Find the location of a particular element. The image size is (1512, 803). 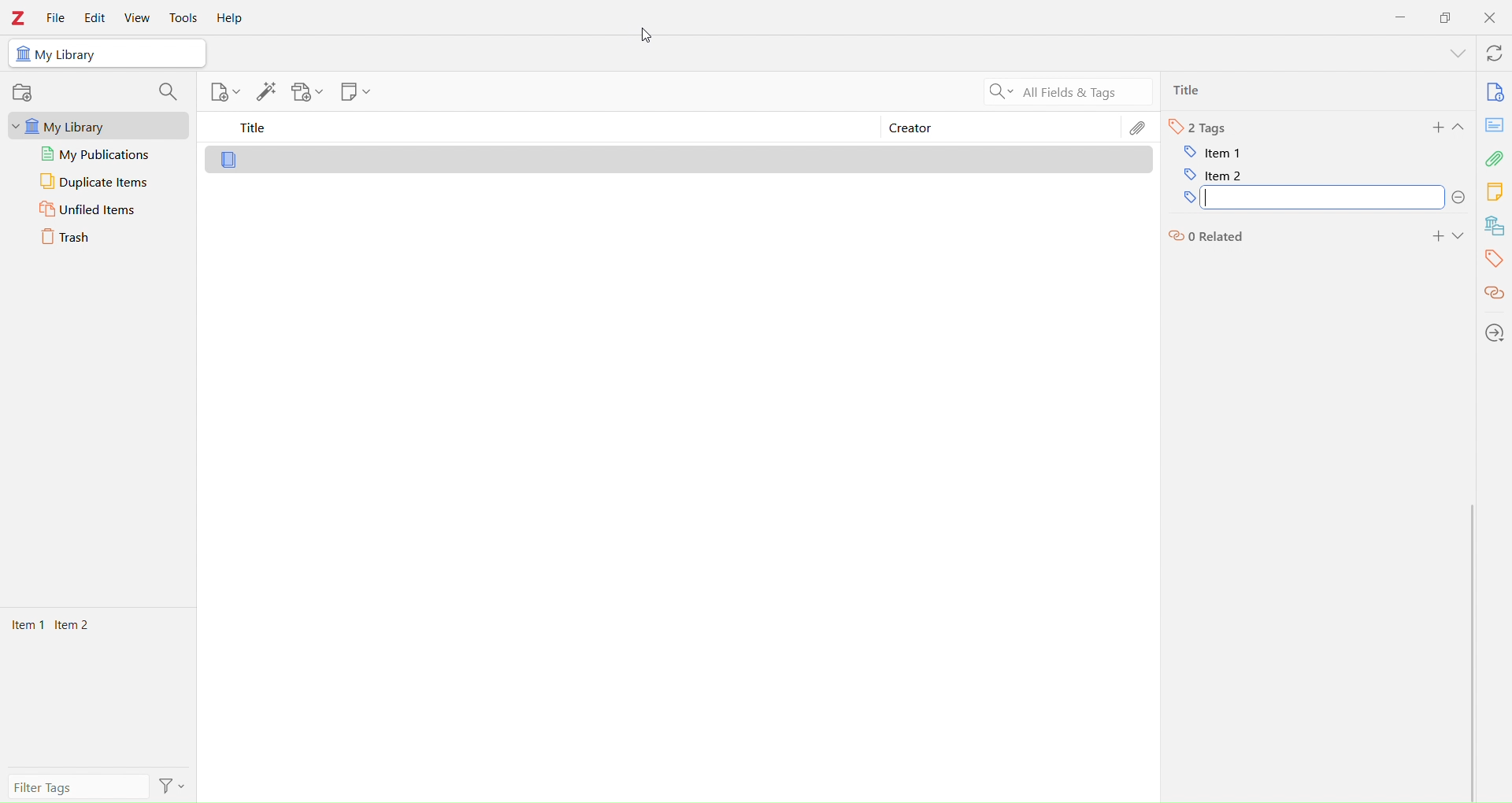

Duplicate is located at coordinates (1449, 17).